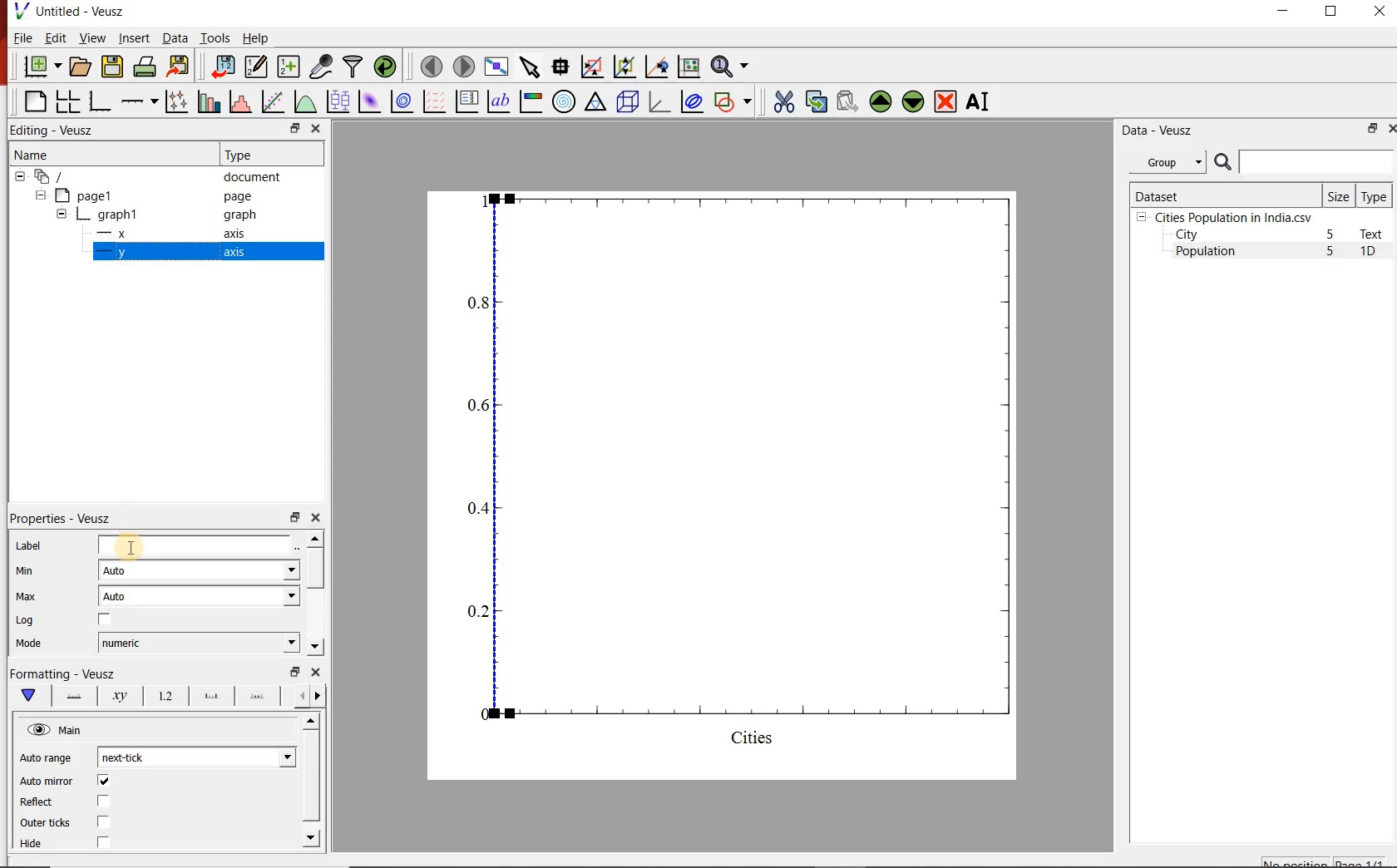  What do you see at coordinates (257, 37) in the screenshot?
I see `Help` at bounding box center [257, 37].